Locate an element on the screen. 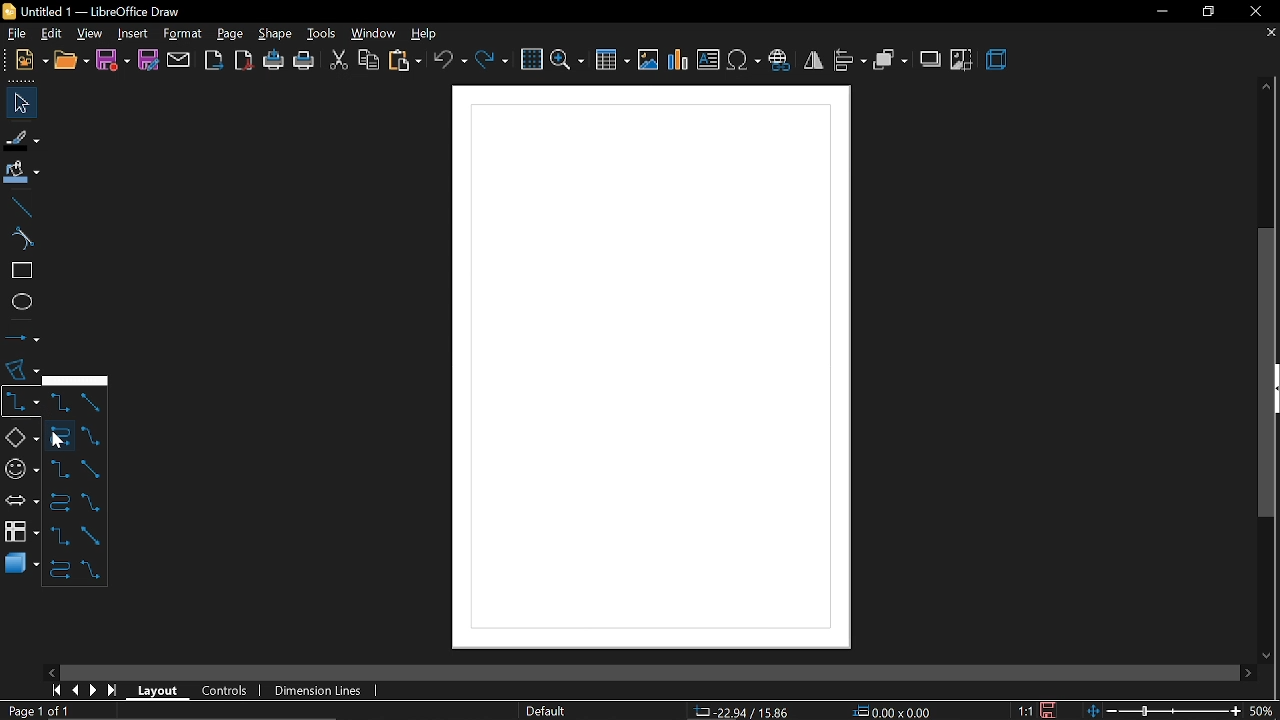  redo is located at coordinates (492, 62).